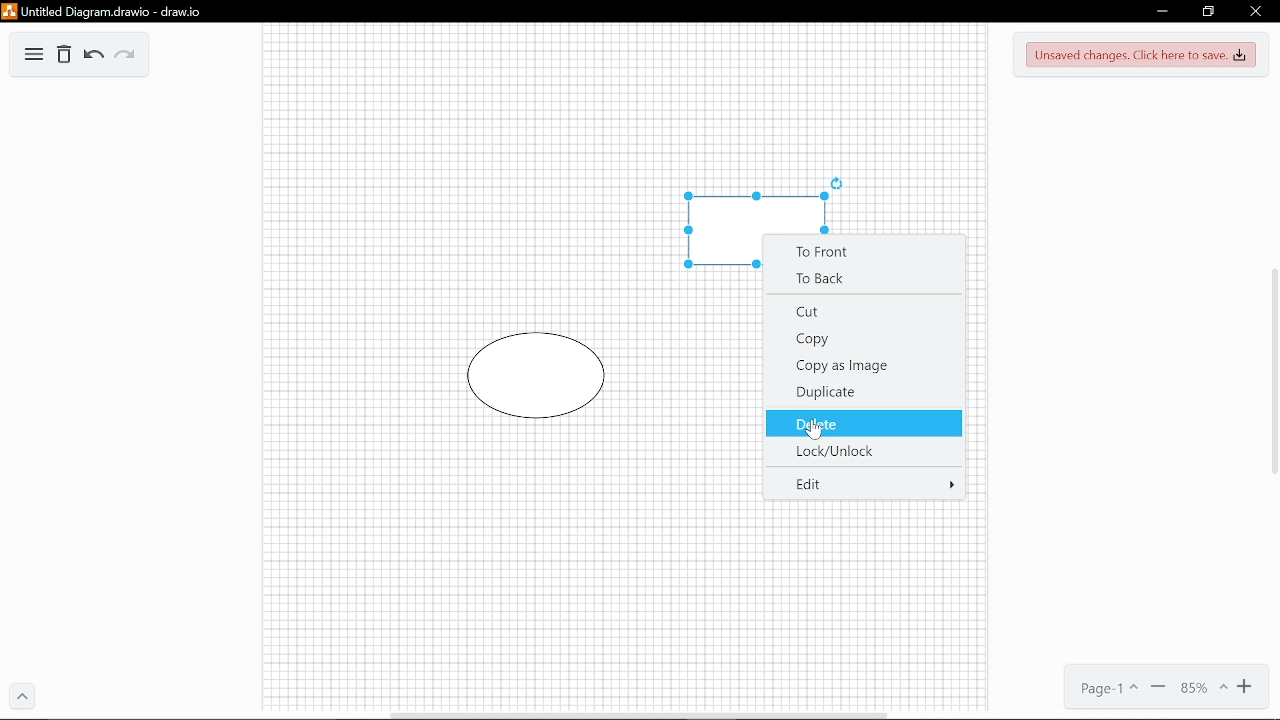  What do you see at coordinates (1208, 12) in the screenshot?
I see `Restore down` at bounding box center [1208, 12].